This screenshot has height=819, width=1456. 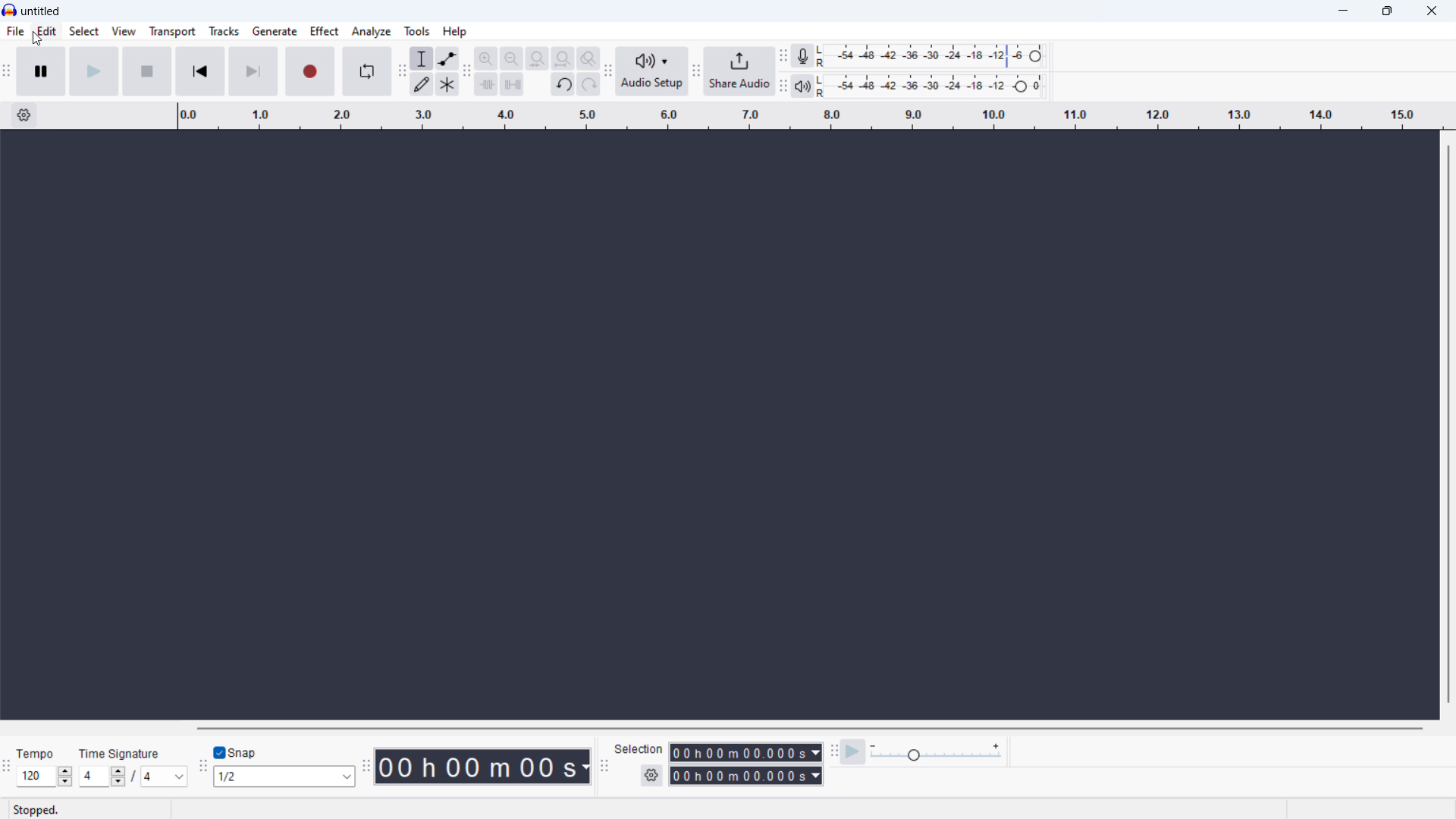 What do you see at coordinates (10, 10) in the screenshot?
I see `logo` at bounding box center [10, 10].